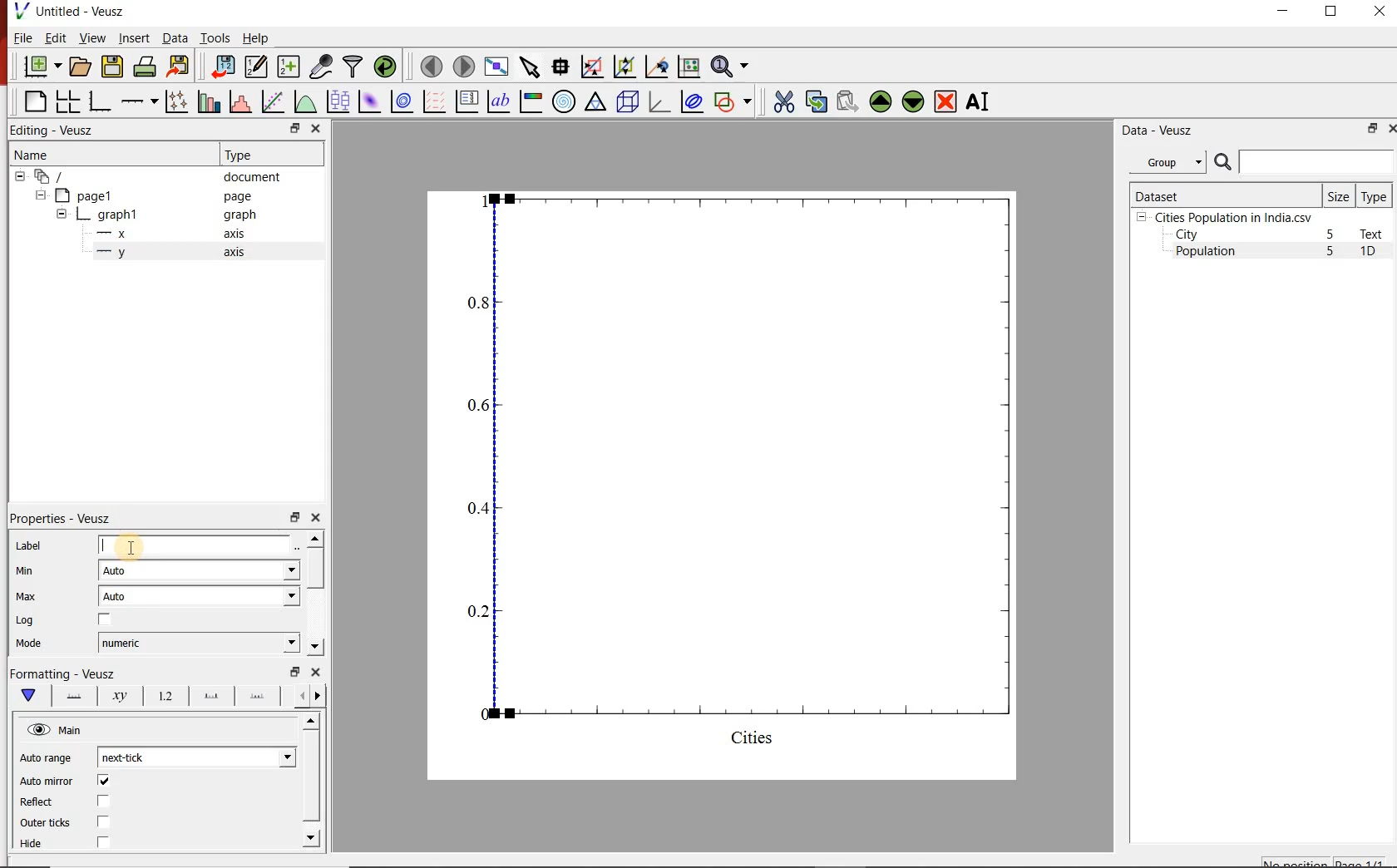 The image size is (1397, 868). What do you see at coordinates (947, 101) in the screenshot?
I see `remove the selected widgets` at bounding box center [947, 101].